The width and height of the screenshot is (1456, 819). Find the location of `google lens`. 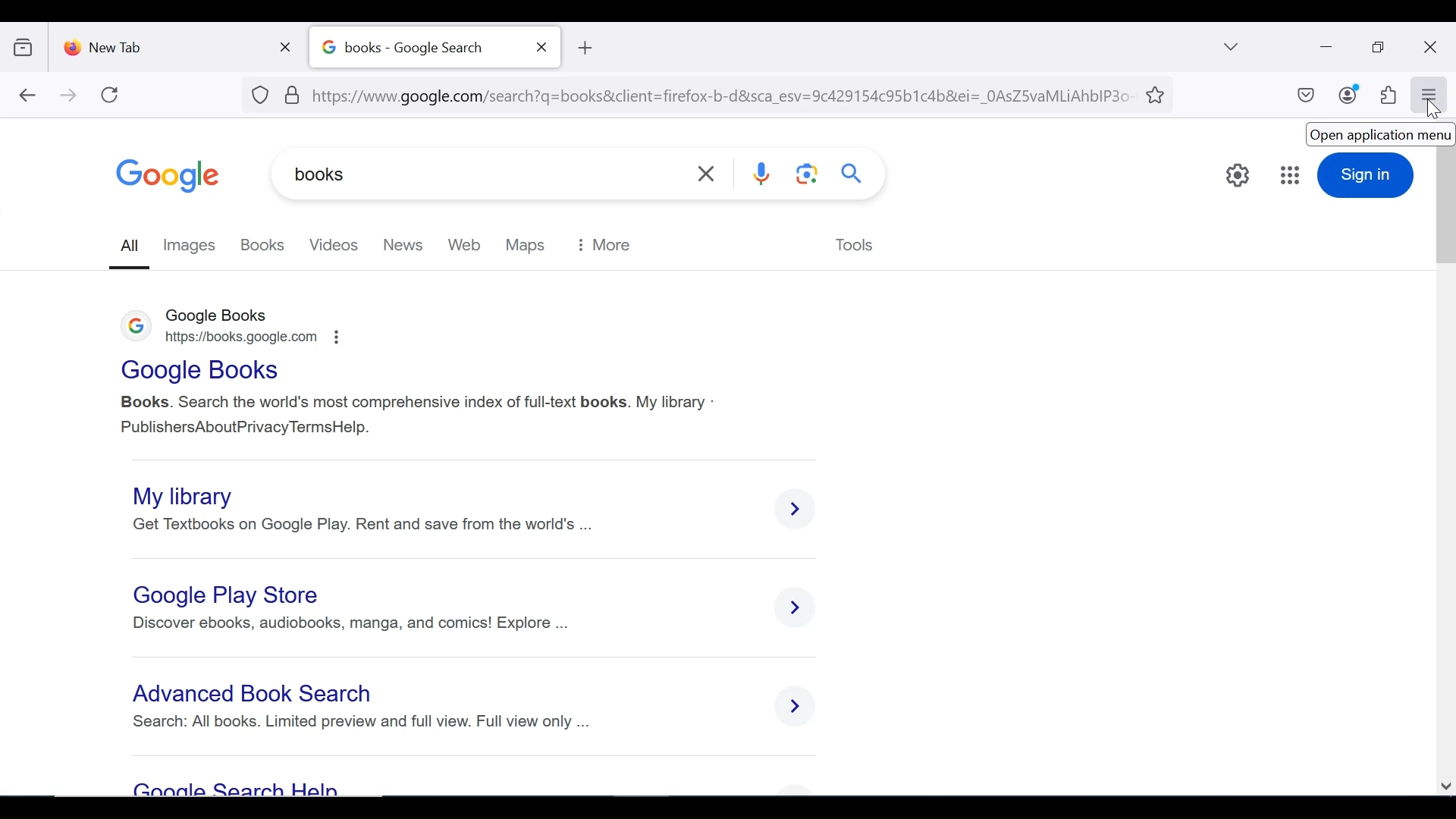

google lens is located at coordinates (805, 176).